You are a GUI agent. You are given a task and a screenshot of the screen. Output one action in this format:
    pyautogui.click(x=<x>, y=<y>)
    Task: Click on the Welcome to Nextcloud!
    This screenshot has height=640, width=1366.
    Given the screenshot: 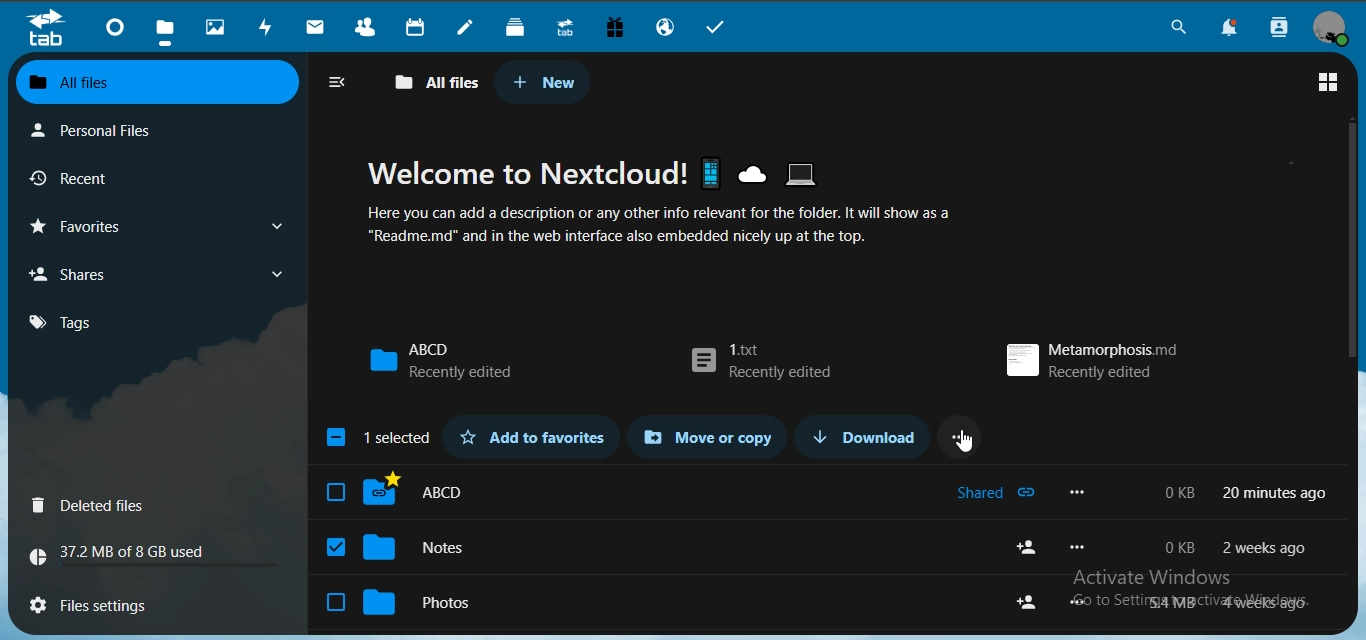 What is the action you would take?
    pyautogui.click(x=604, y=169)
    